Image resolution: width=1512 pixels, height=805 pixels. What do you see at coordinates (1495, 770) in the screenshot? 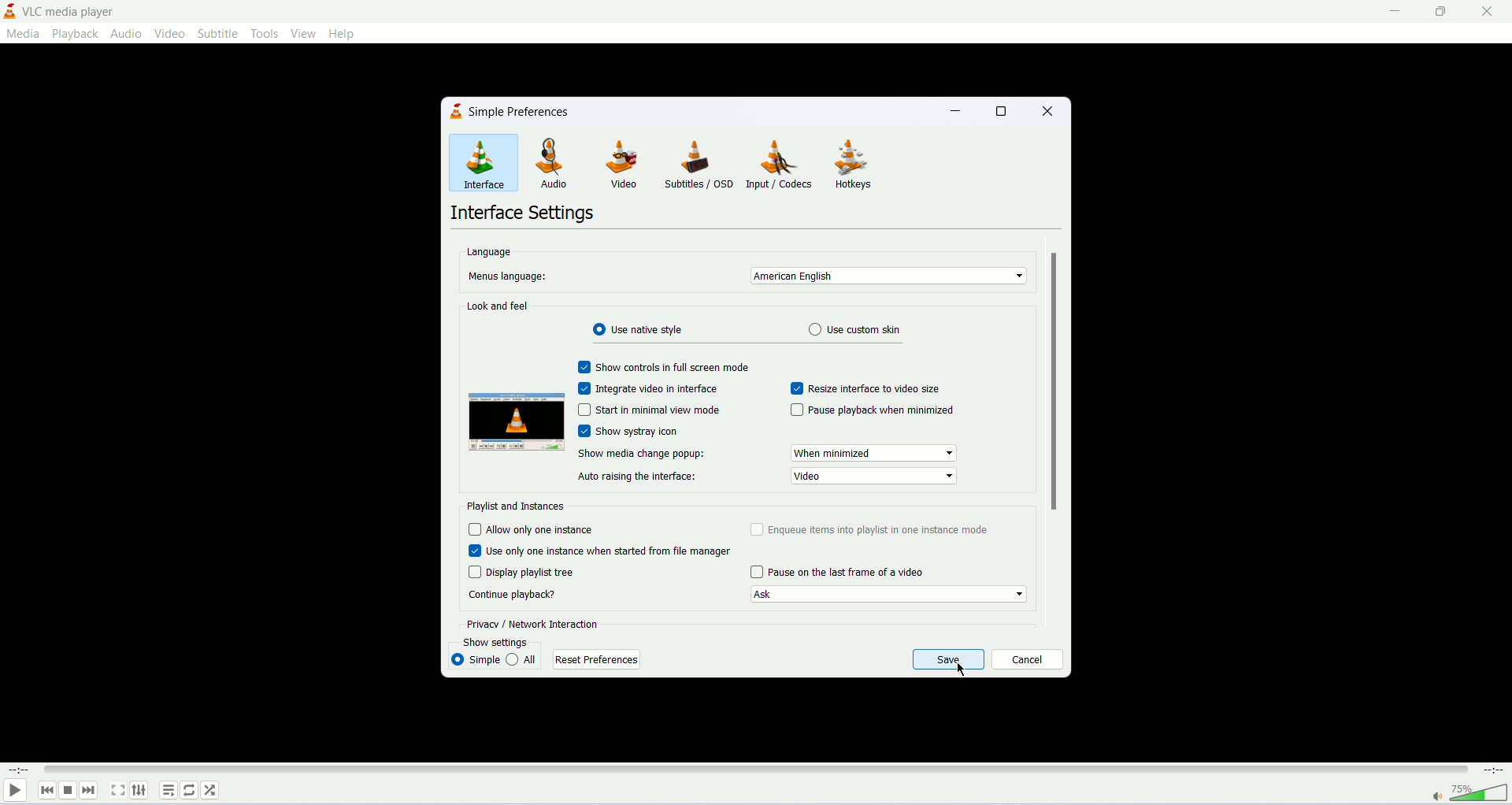
I see `time duration` at bounding box center [1495, 770].